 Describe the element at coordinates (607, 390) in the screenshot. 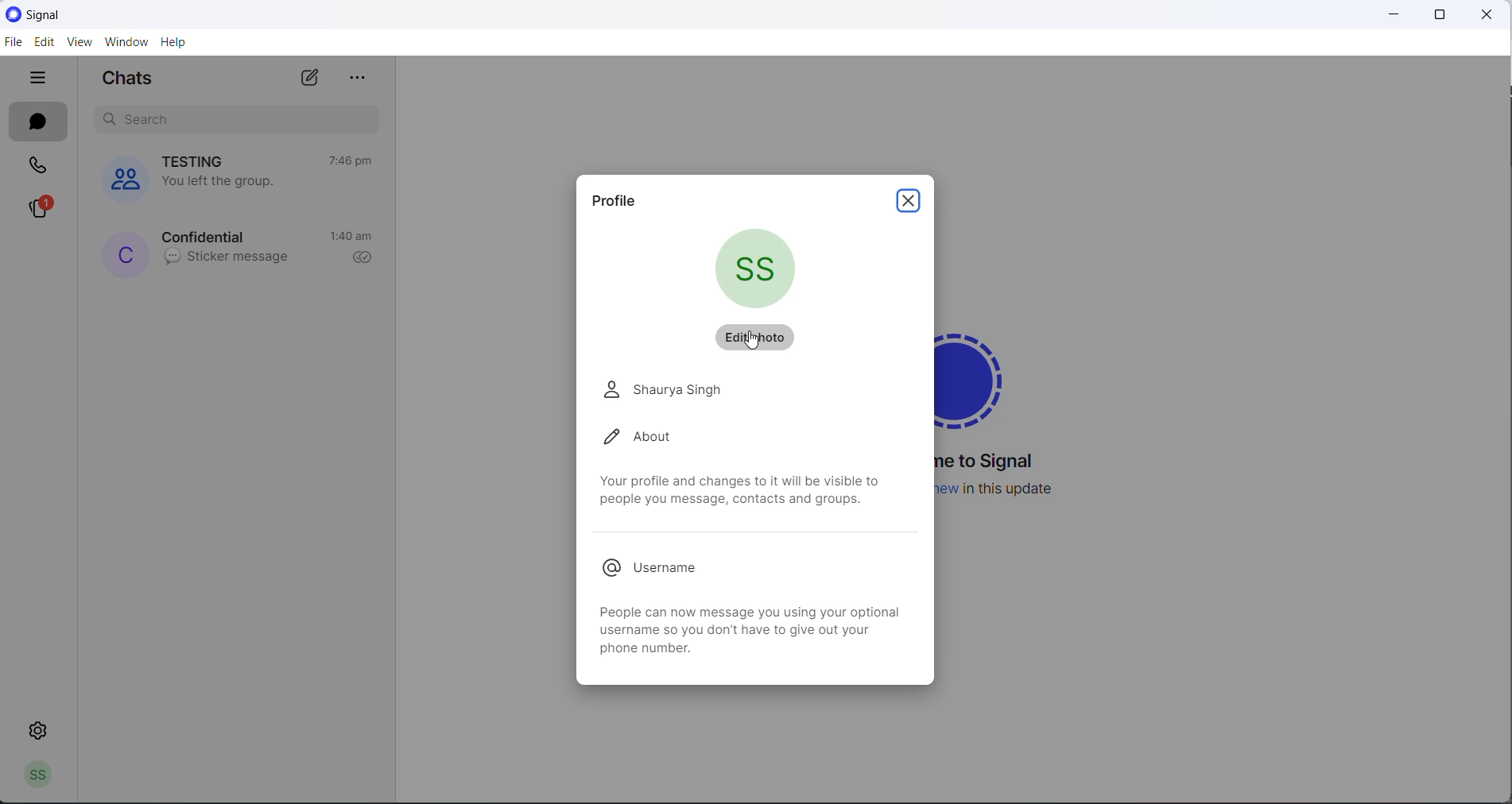

I see `person logo` at that location.